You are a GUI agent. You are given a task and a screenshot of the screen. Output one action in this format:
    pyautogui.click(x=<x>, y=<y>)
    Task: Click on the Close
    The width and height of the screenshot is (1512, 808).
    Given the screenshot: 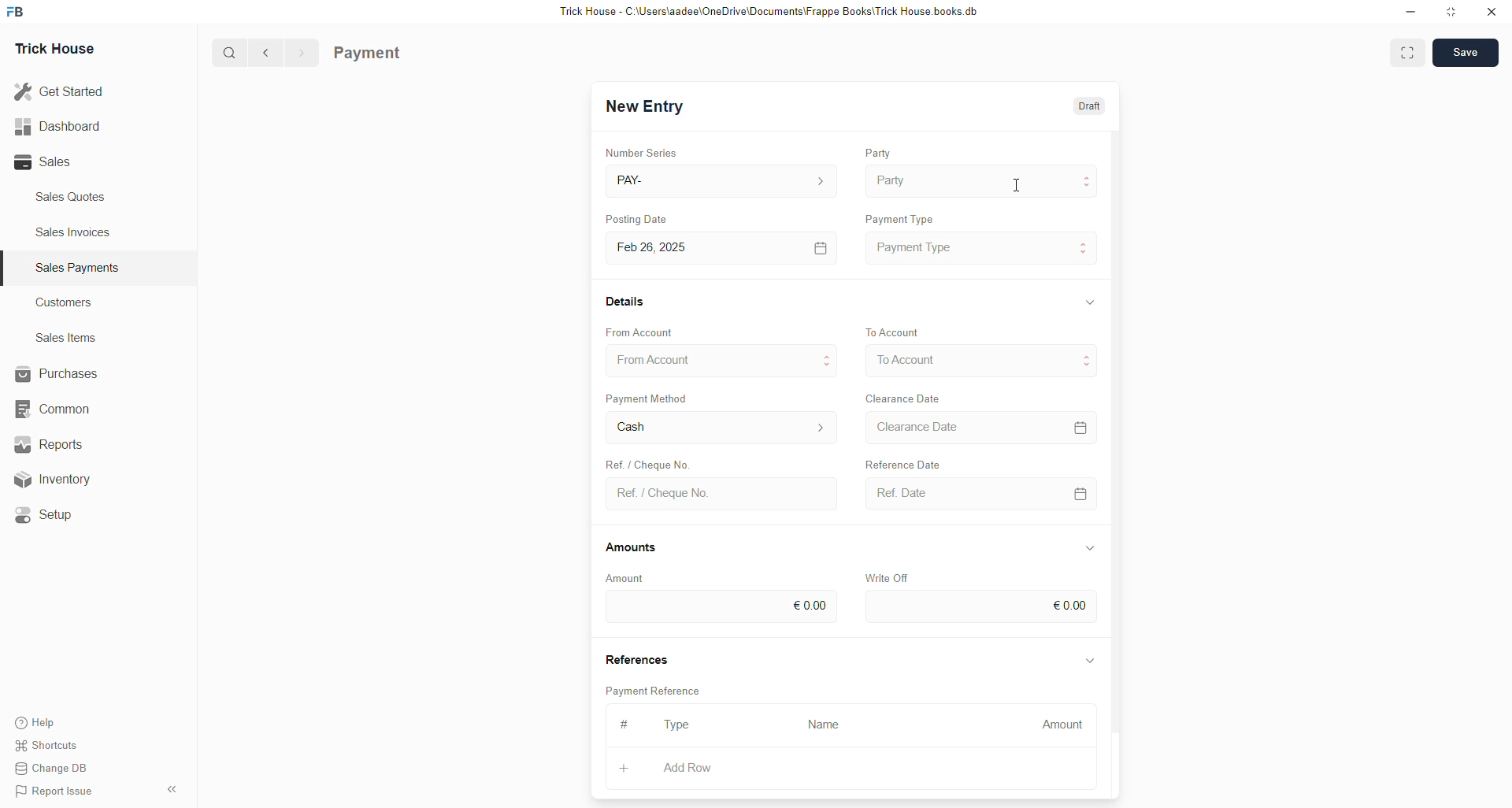 What is the action you would take?
    pyautogui.click(x=1491, y=13)
    